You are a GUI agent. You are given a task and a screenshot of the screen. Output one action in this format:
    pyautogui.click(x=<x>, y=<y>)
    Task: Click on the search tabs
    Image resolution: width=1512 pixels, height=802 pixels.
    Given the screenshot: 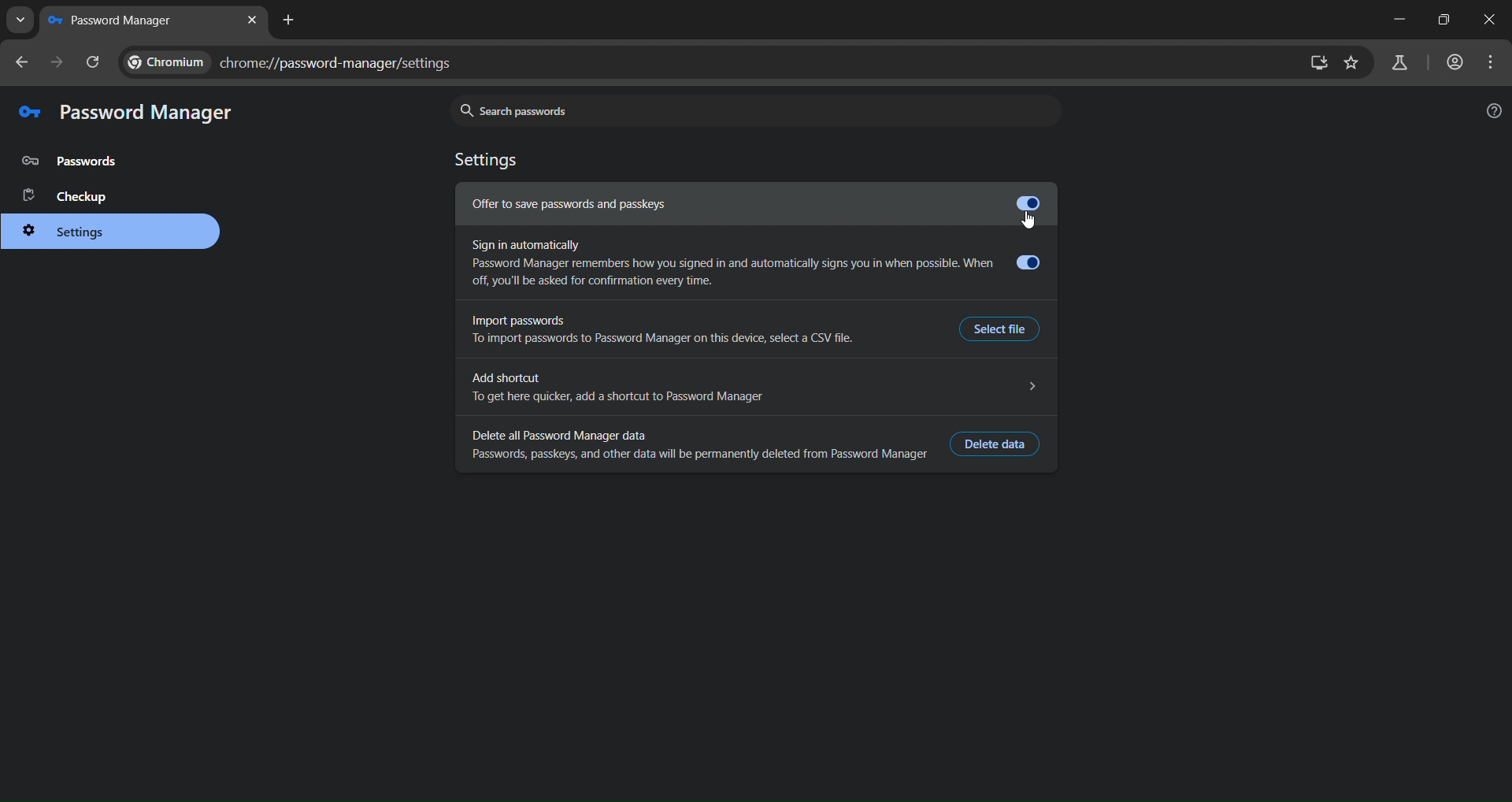 What is the action you would take?
    pyautogui.click(x=20, y=21)
    